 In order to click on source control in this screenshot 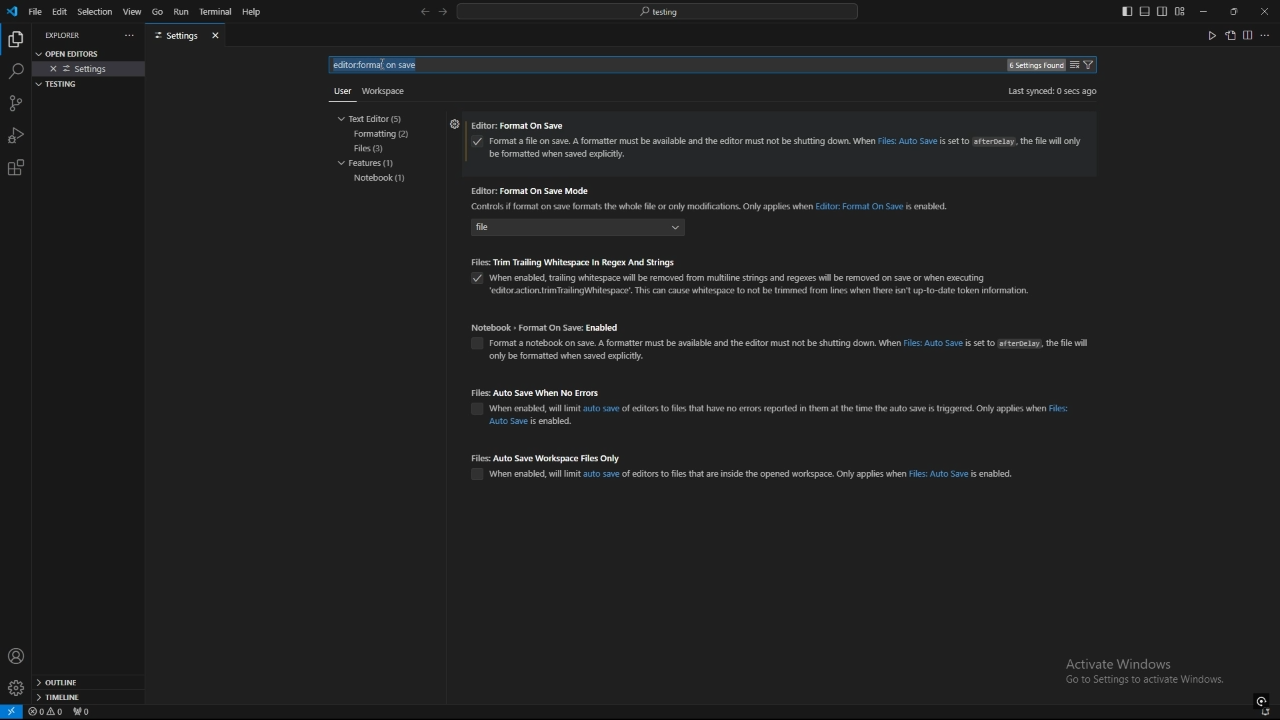, I will do `click(15, 103)`.